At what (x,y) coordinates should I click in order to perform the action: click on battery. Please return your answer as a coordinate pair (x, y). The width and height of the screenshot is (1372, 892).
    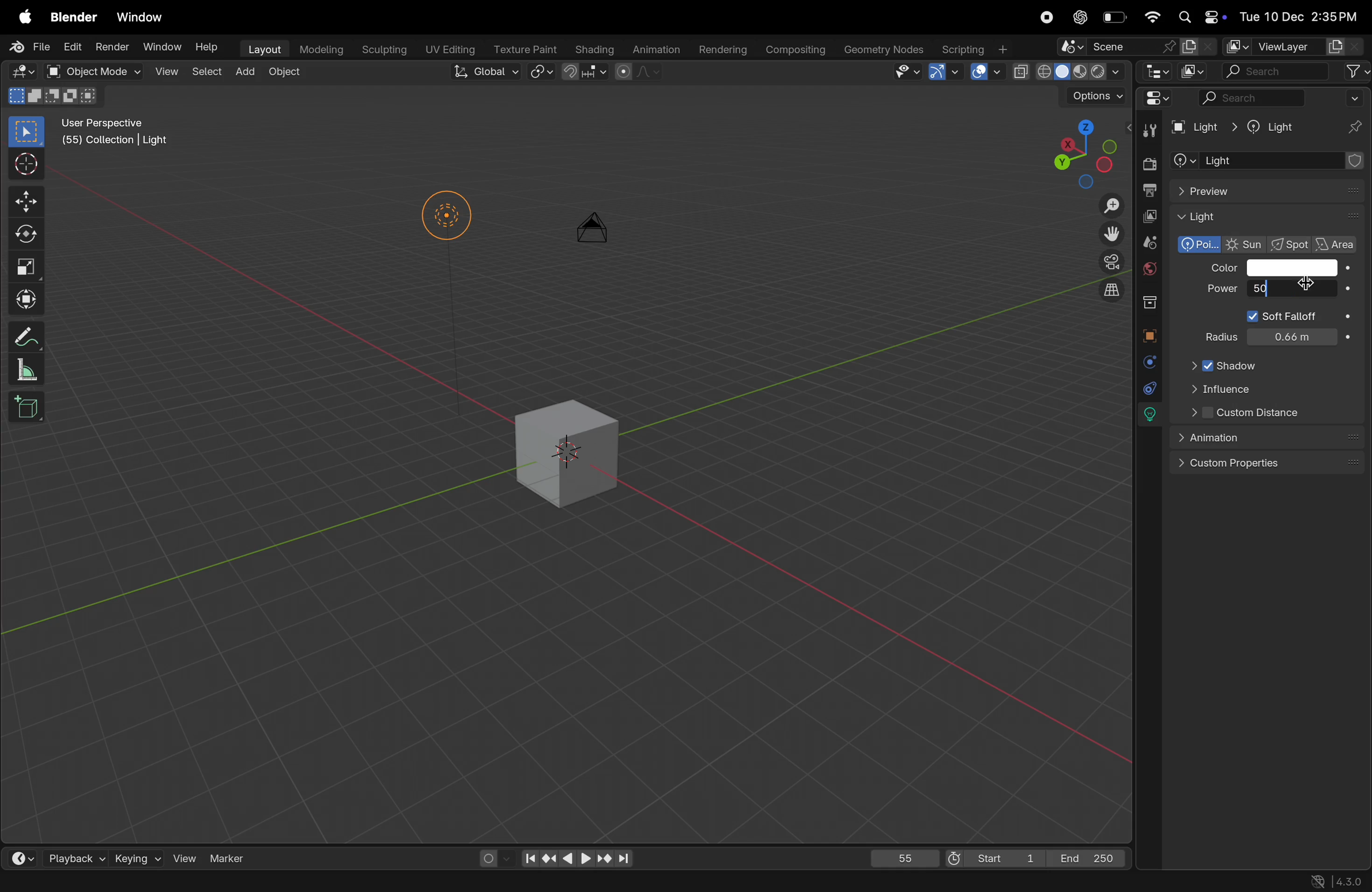
    Looking at the image, I should click on (1115, 16).